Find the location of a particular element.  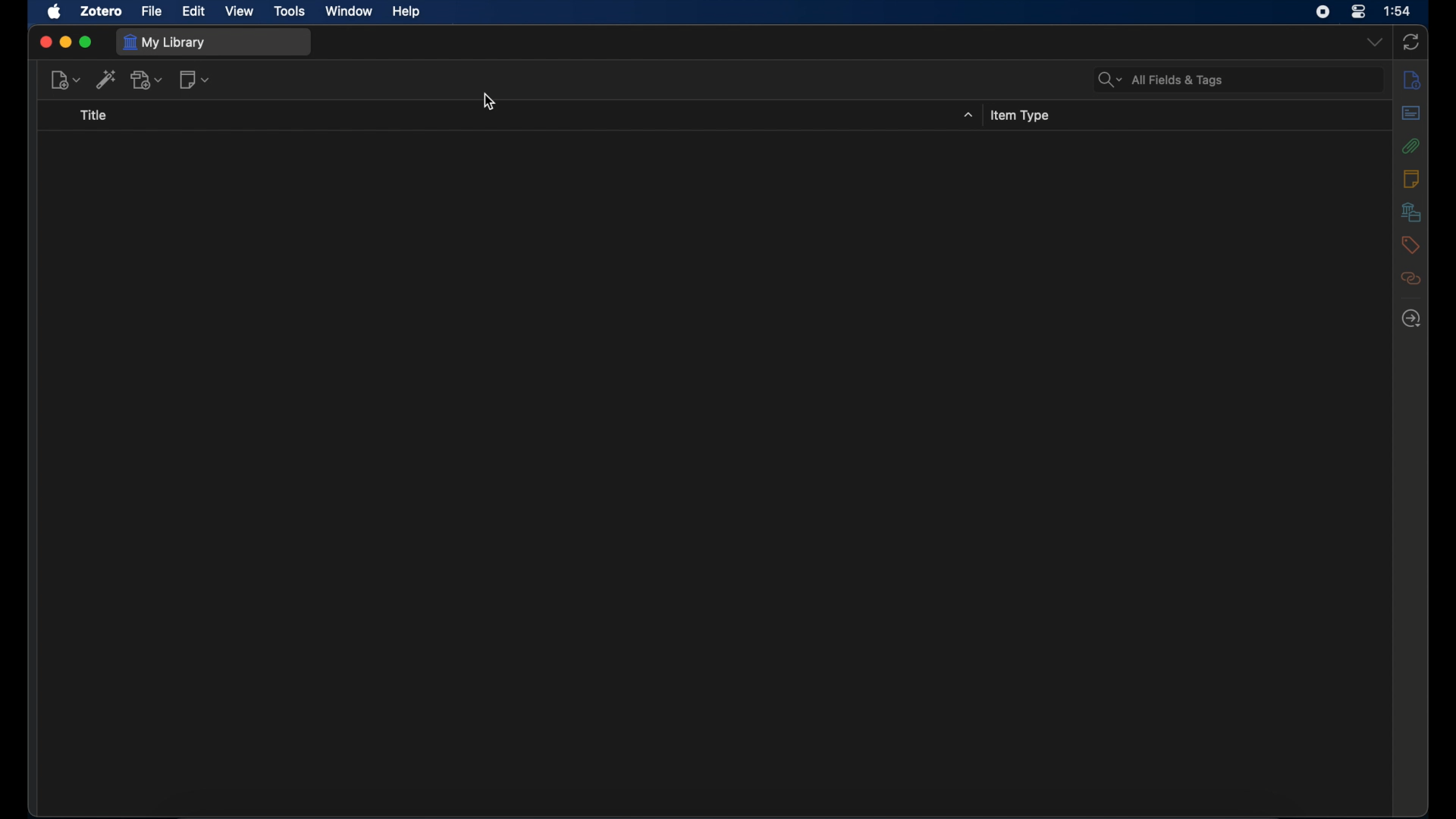

apple icon is located at coordinates (55, 11).